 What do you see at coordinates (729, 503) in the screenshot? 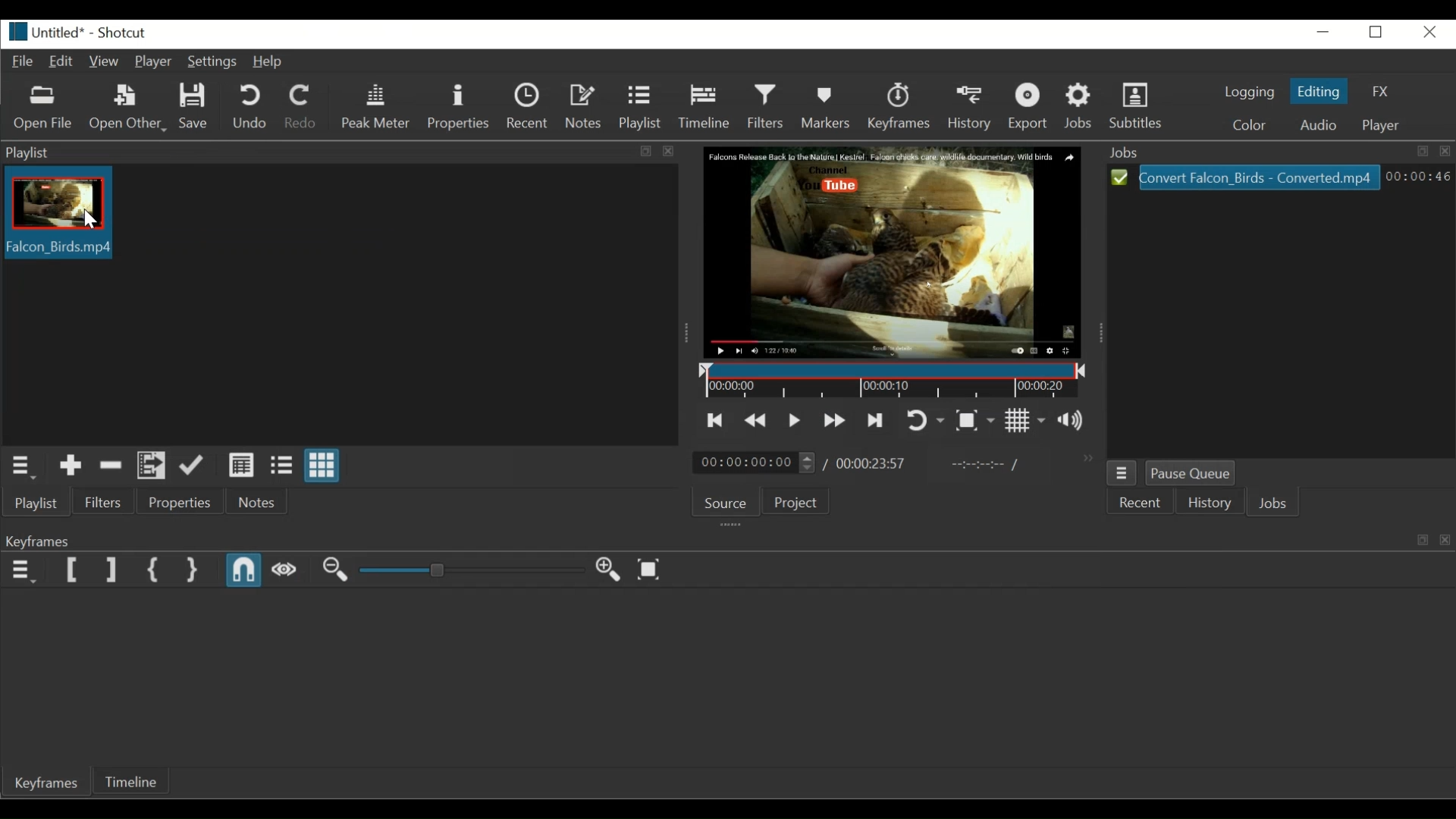
I see `Source` at bounding box center [729, 503].